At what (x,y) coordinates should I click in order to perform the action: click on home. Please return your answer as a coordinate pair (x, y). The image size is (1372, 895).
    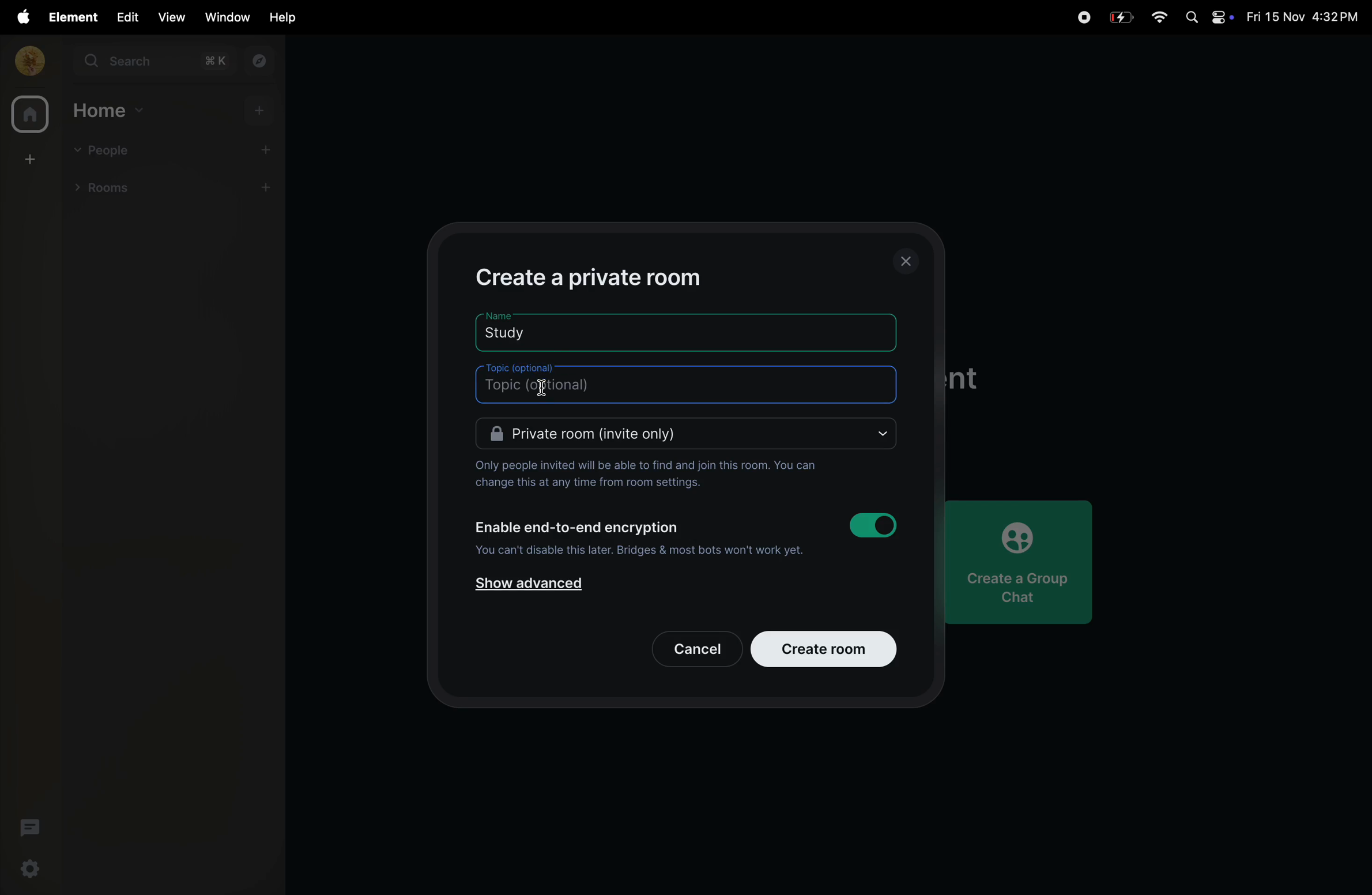
    Looking at the image, I should click on (27, 114).